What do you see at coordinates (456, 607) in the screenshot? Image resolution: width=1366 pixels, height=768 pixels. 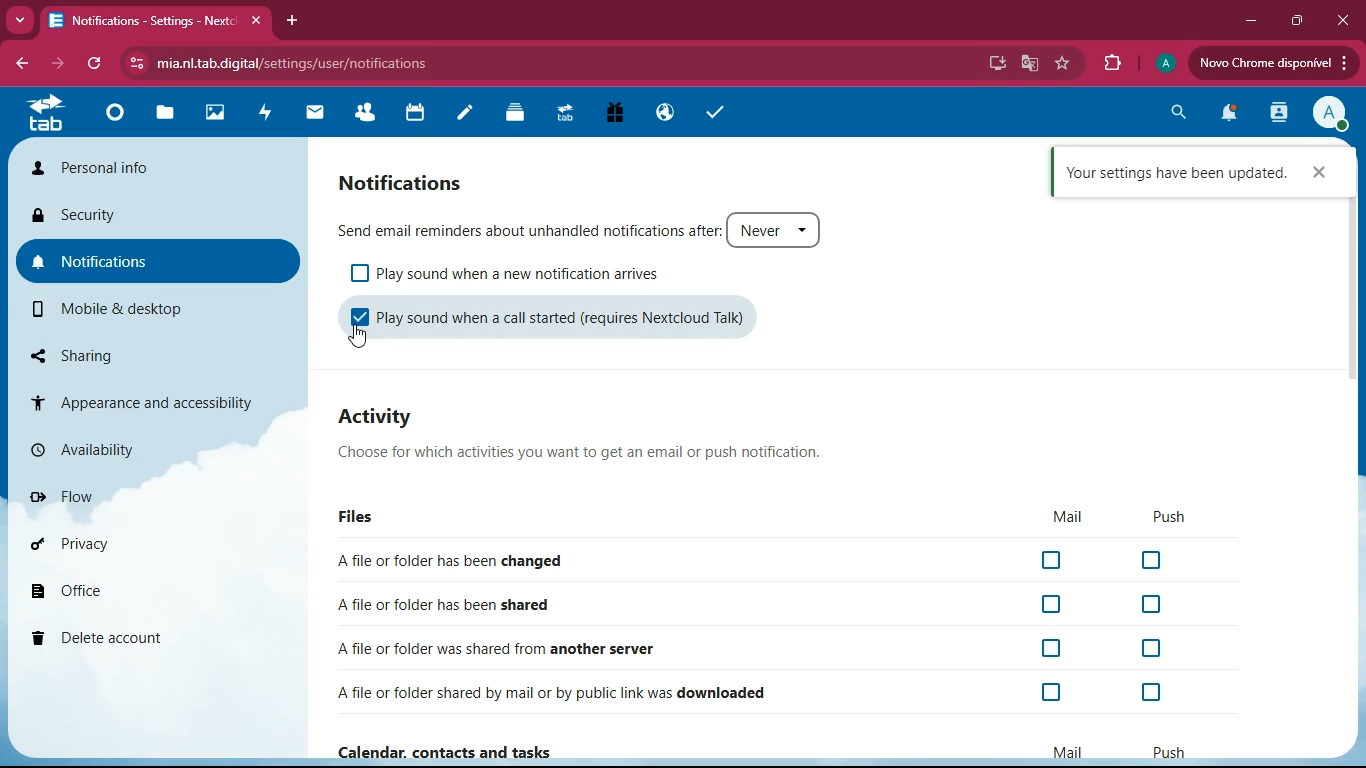 I see `shared` at bounding box center [456, 607].